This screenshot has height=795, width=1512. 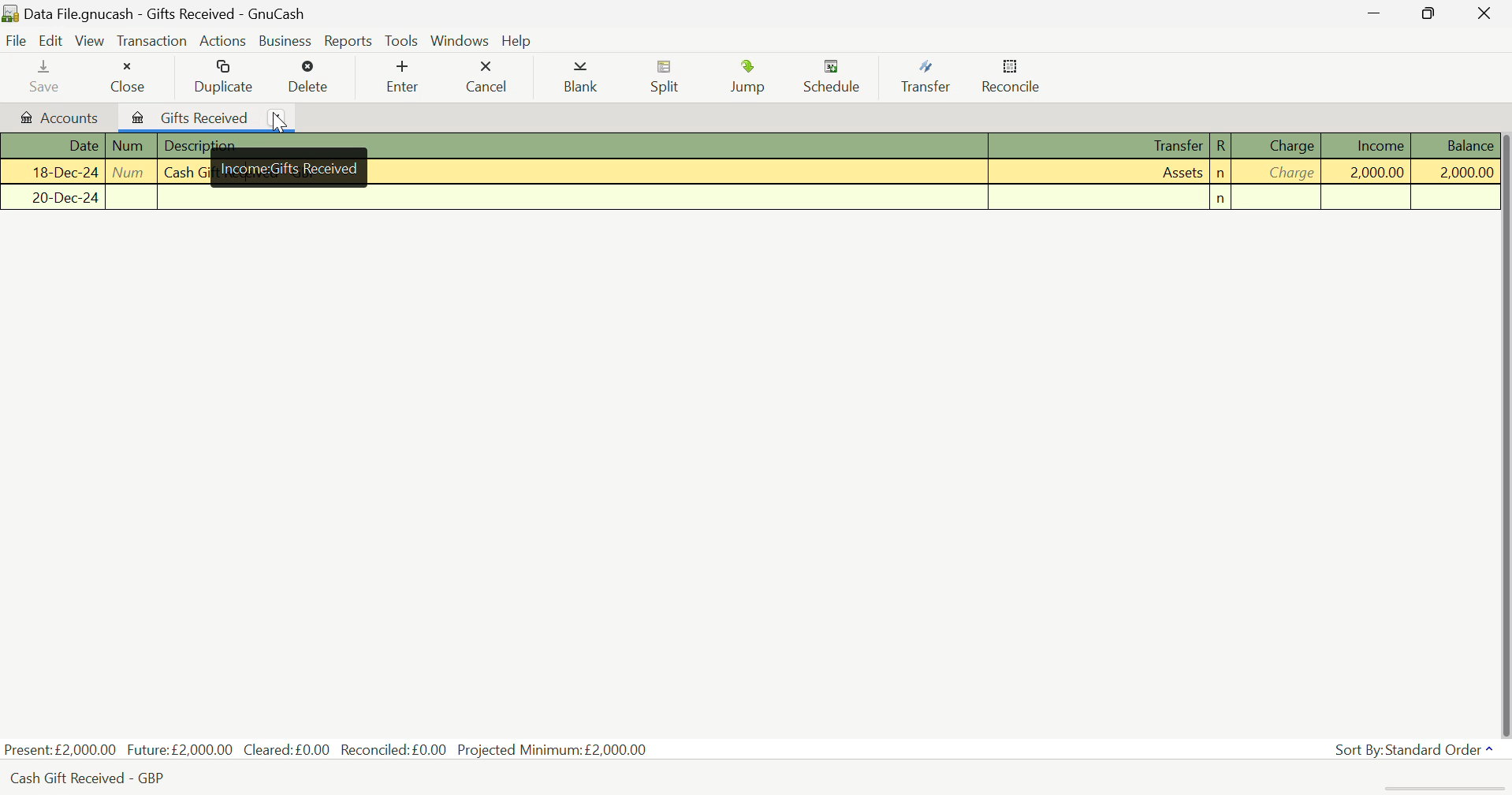 What do you see at coordinates (1455, 171) in the screenshot?
I see `Balance` at bounding box center [1455, 171].